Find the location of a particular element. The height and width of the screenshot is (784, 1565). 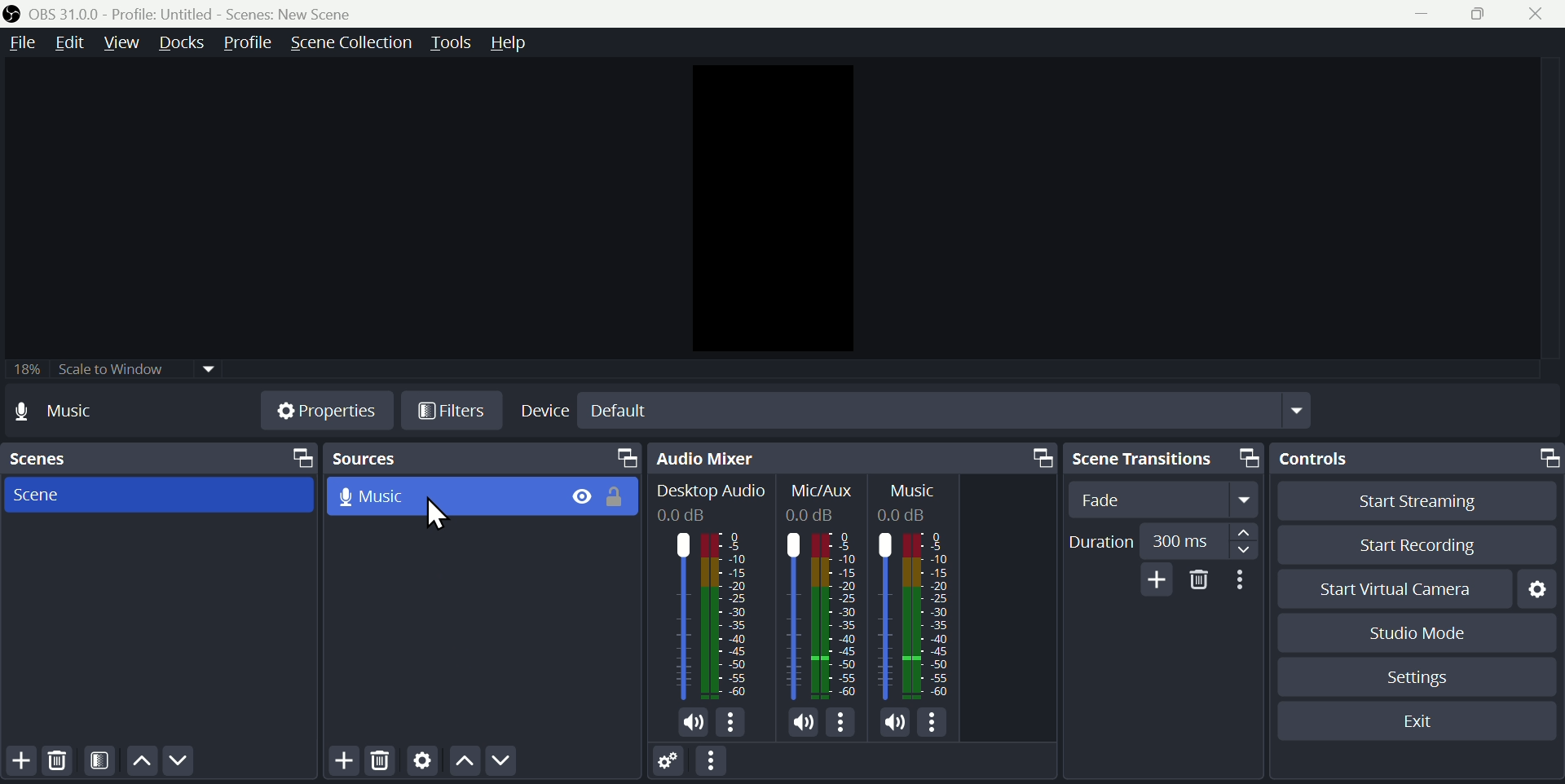

More options is located at coordinates (715, 761).